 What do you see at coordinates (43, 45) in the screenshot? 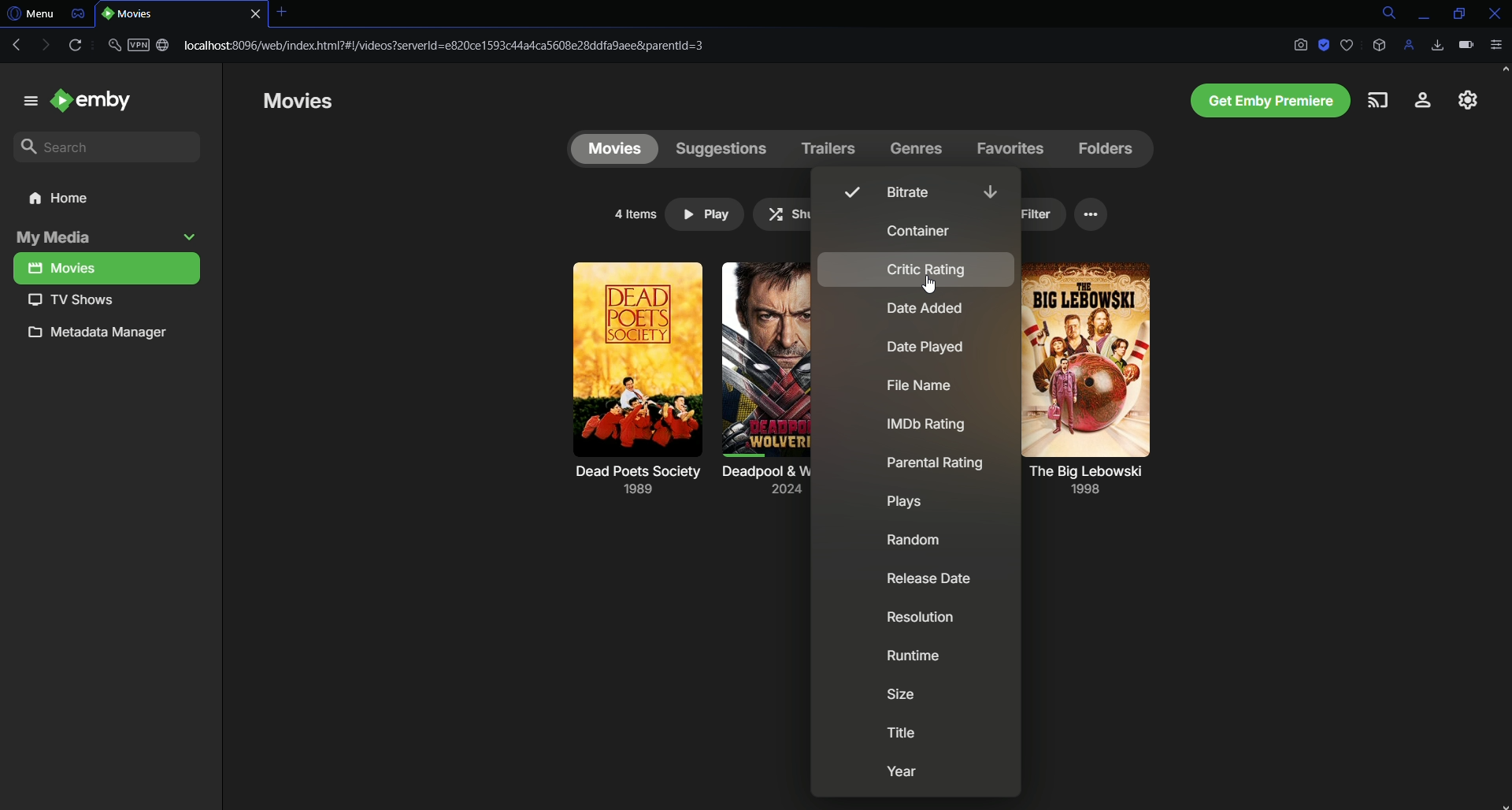
I see `Forward` at bounding box center [43, 45].